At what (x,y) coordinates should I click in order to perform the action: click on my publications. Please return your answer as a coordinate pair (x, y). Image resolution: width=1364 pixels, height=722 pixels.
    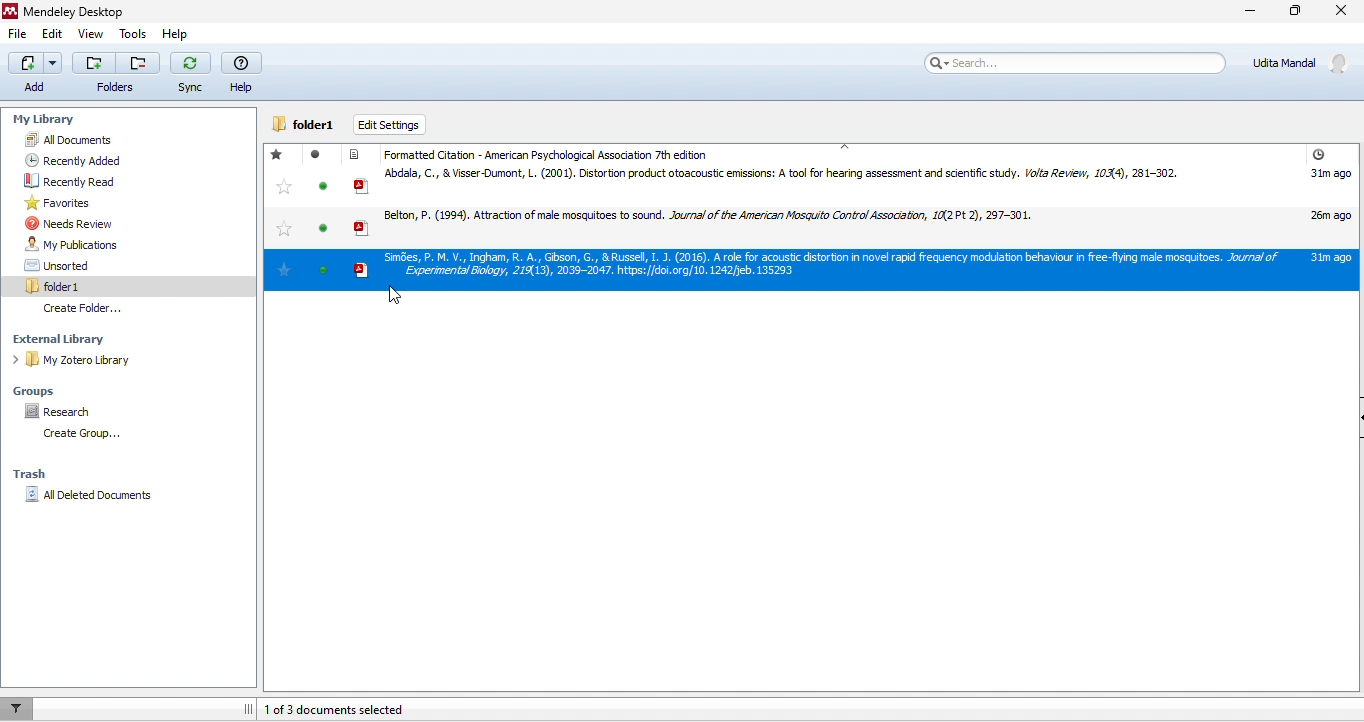
    Looking at the image, I should click on (88, 244).